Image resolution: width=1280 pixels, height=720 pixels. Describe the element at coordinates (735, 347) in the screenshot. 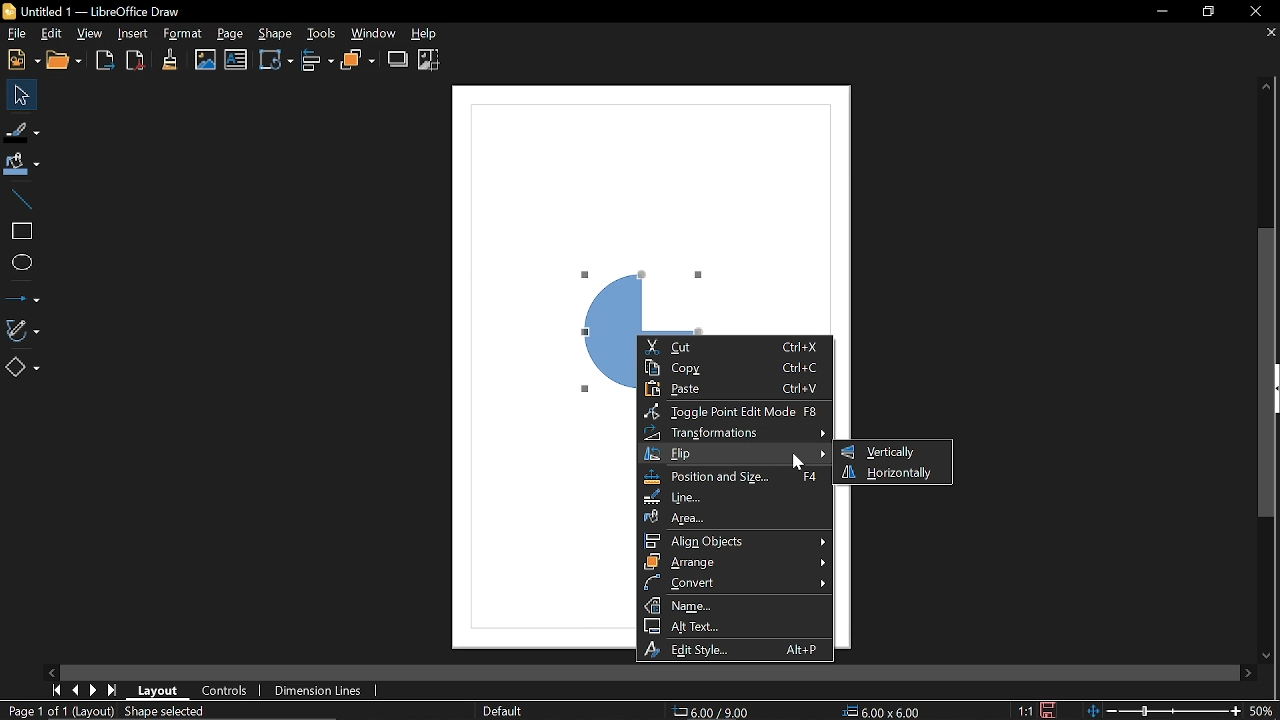

I see `Cut` at that location.